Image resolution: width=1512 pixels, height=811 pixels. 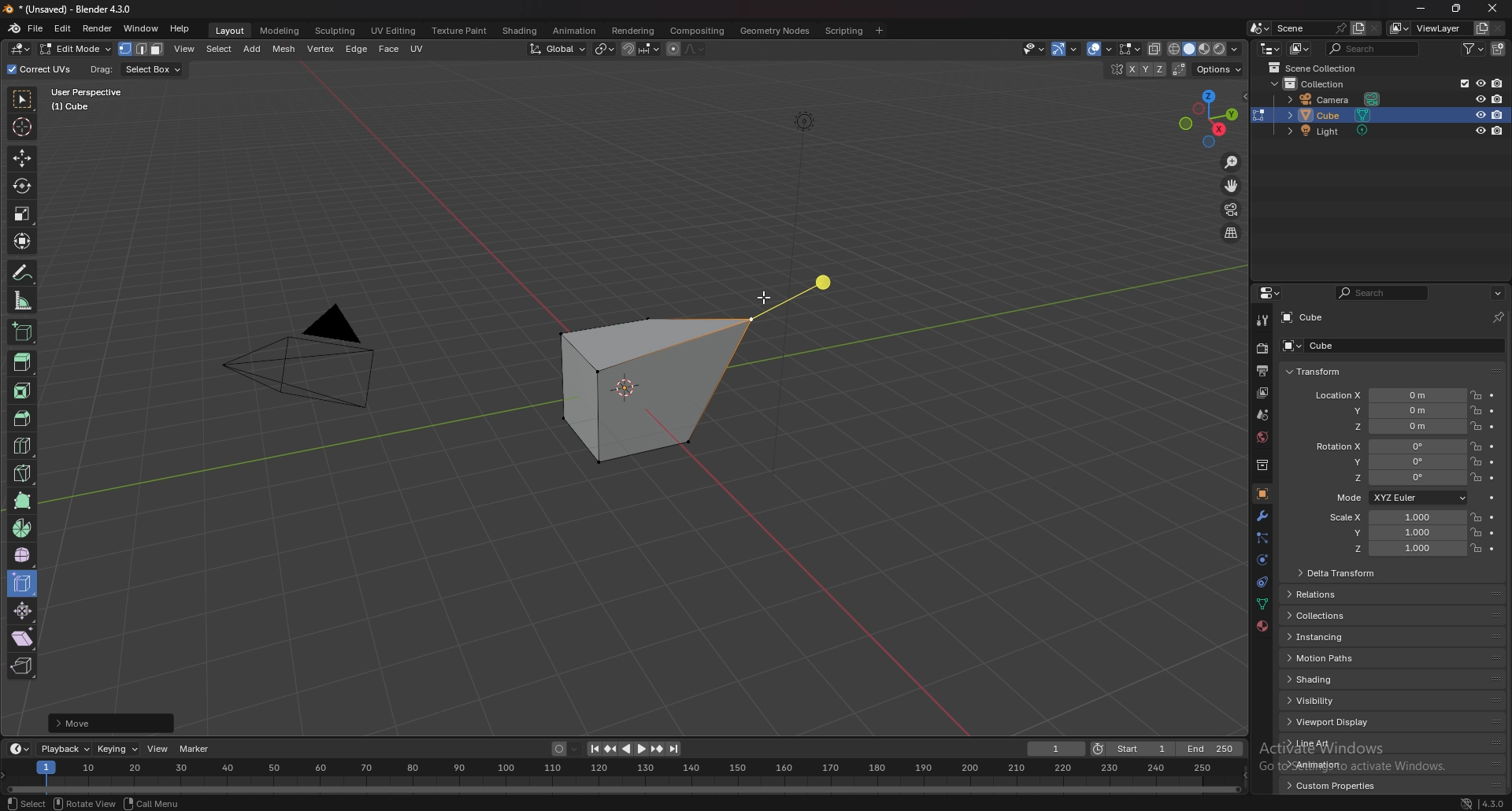 What do you see at coordinates (1261, 393) in the screenshot?
I see `view layer` at bounding box center [1261, 393].